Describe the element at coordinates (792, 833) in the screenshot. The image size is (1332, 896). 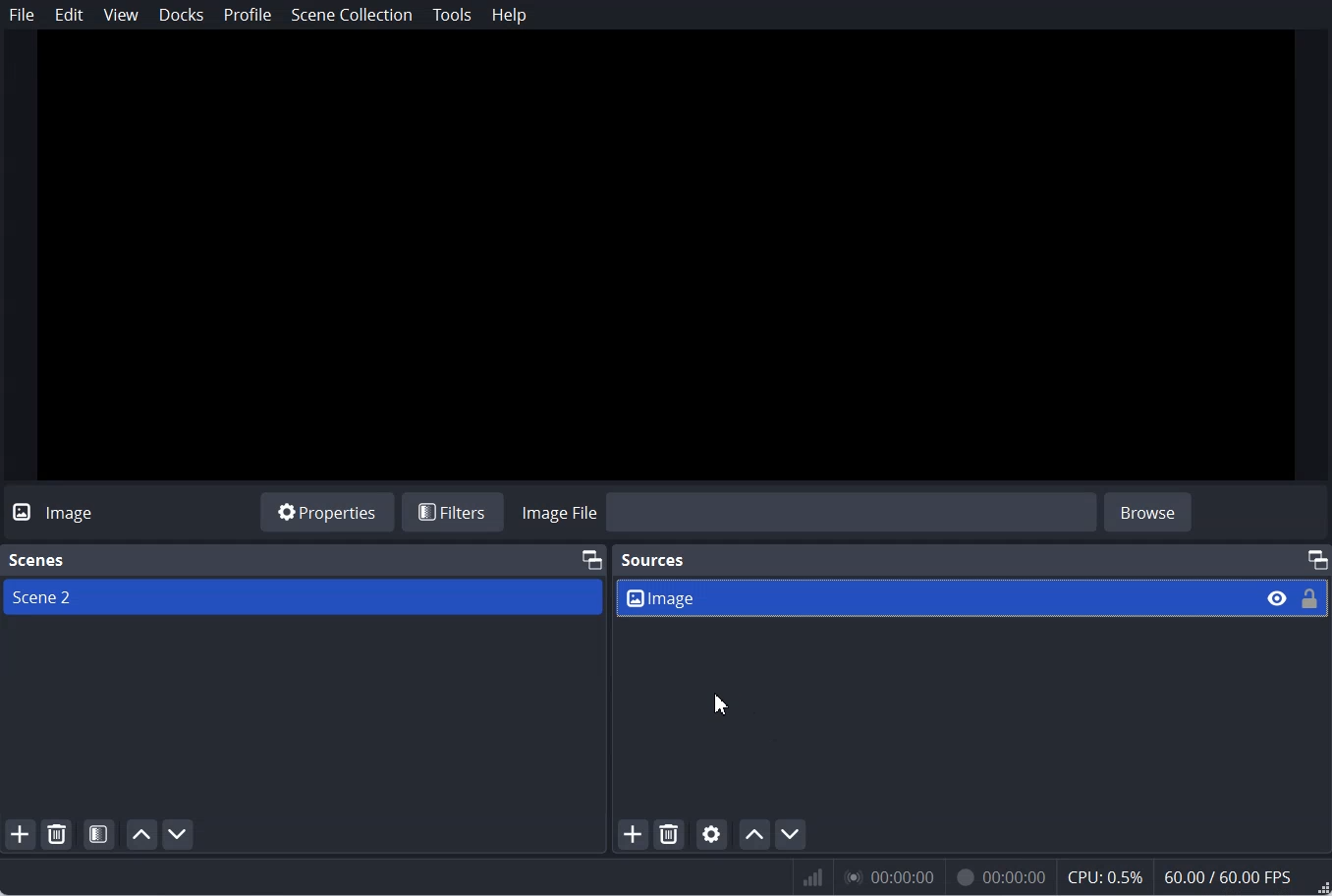
I see `Move source down` at that location.